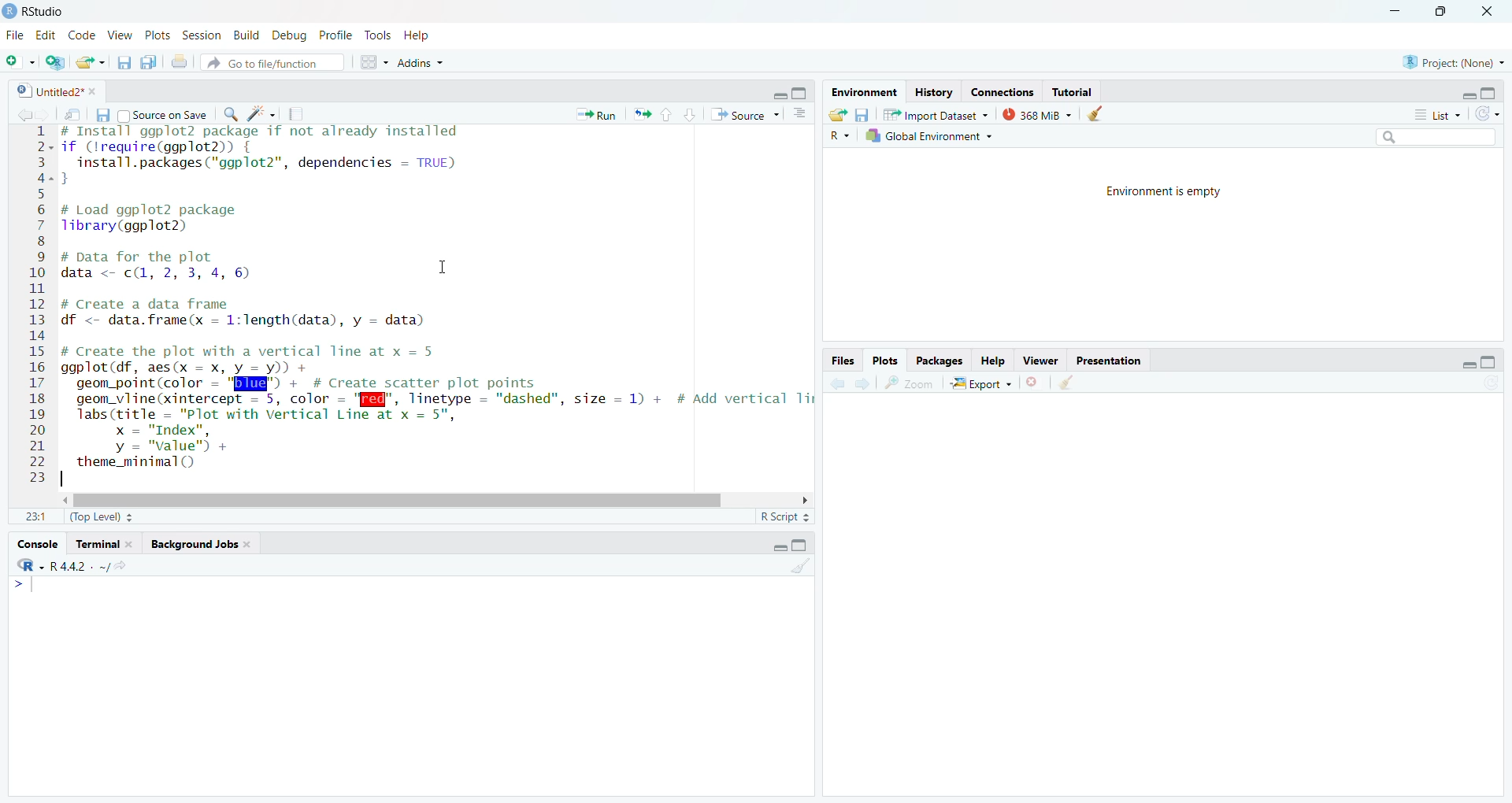  I want to click on close, so click(1033, 385).